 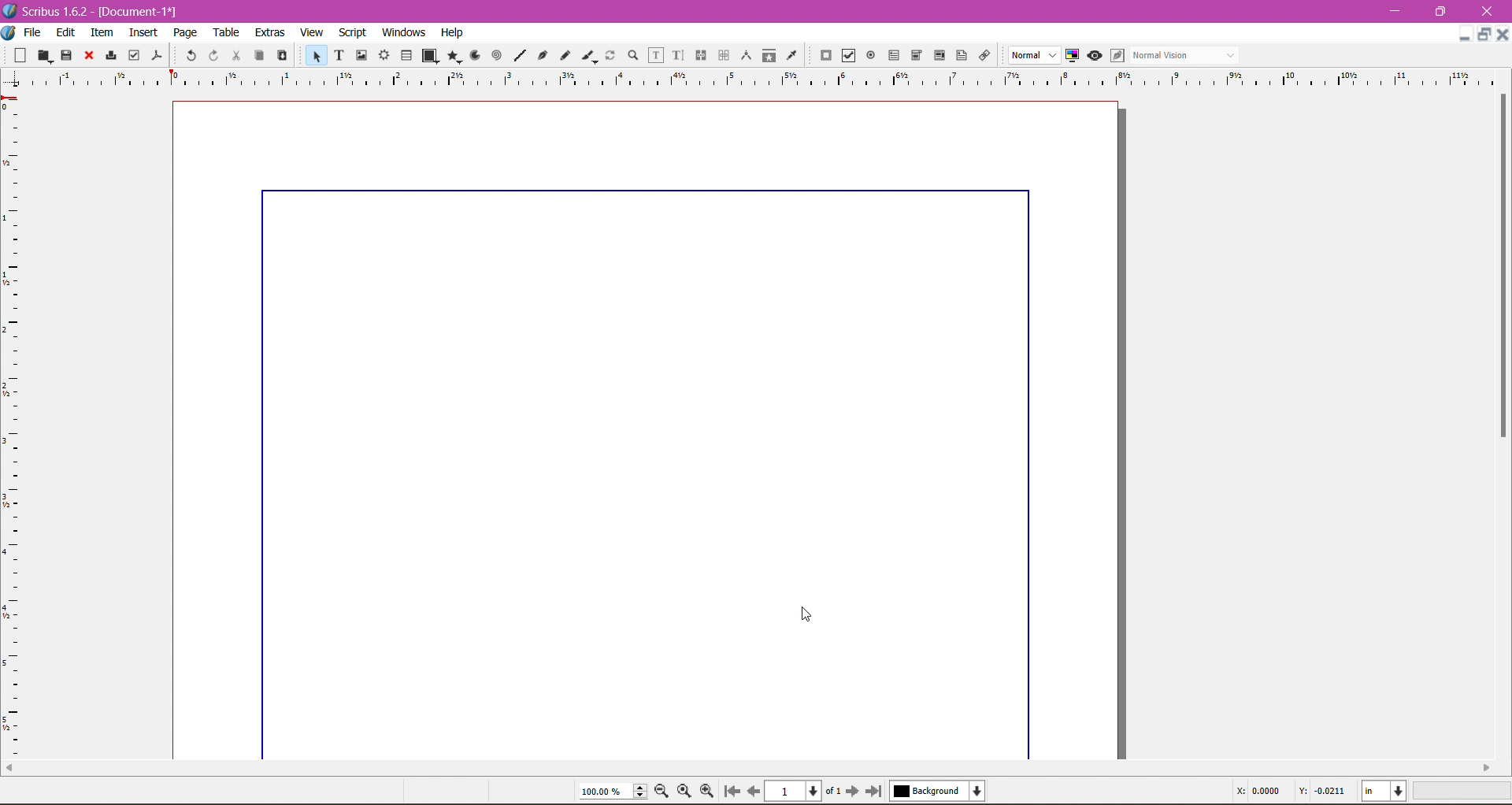 What do you see at coordinates (791, 55) in the screenshot?
I see `Eye Dropper` at bounding box center [791, 55].